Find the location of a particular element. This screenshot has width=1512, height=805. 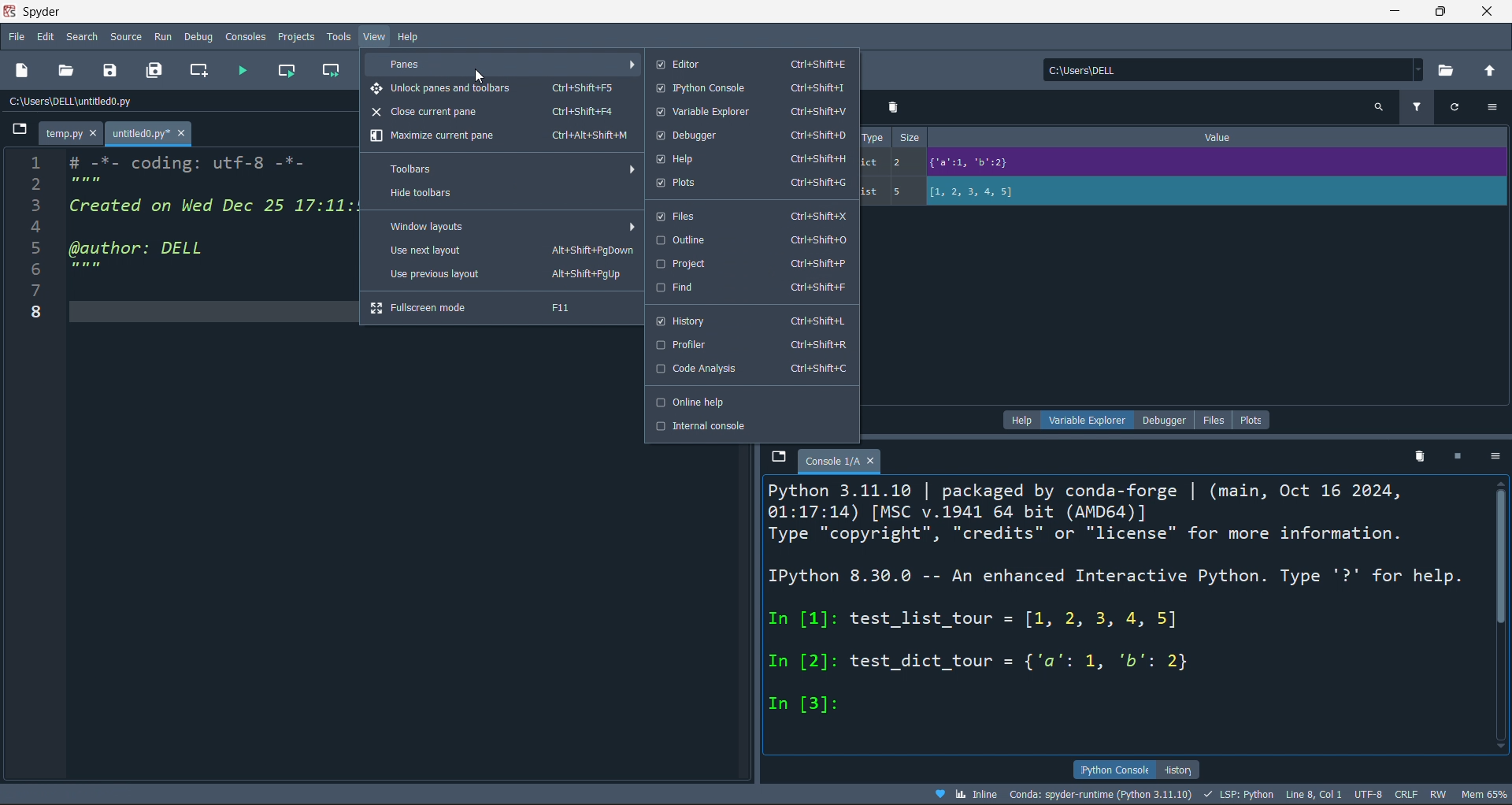

run cell and move is located at coordinates (333, 71).